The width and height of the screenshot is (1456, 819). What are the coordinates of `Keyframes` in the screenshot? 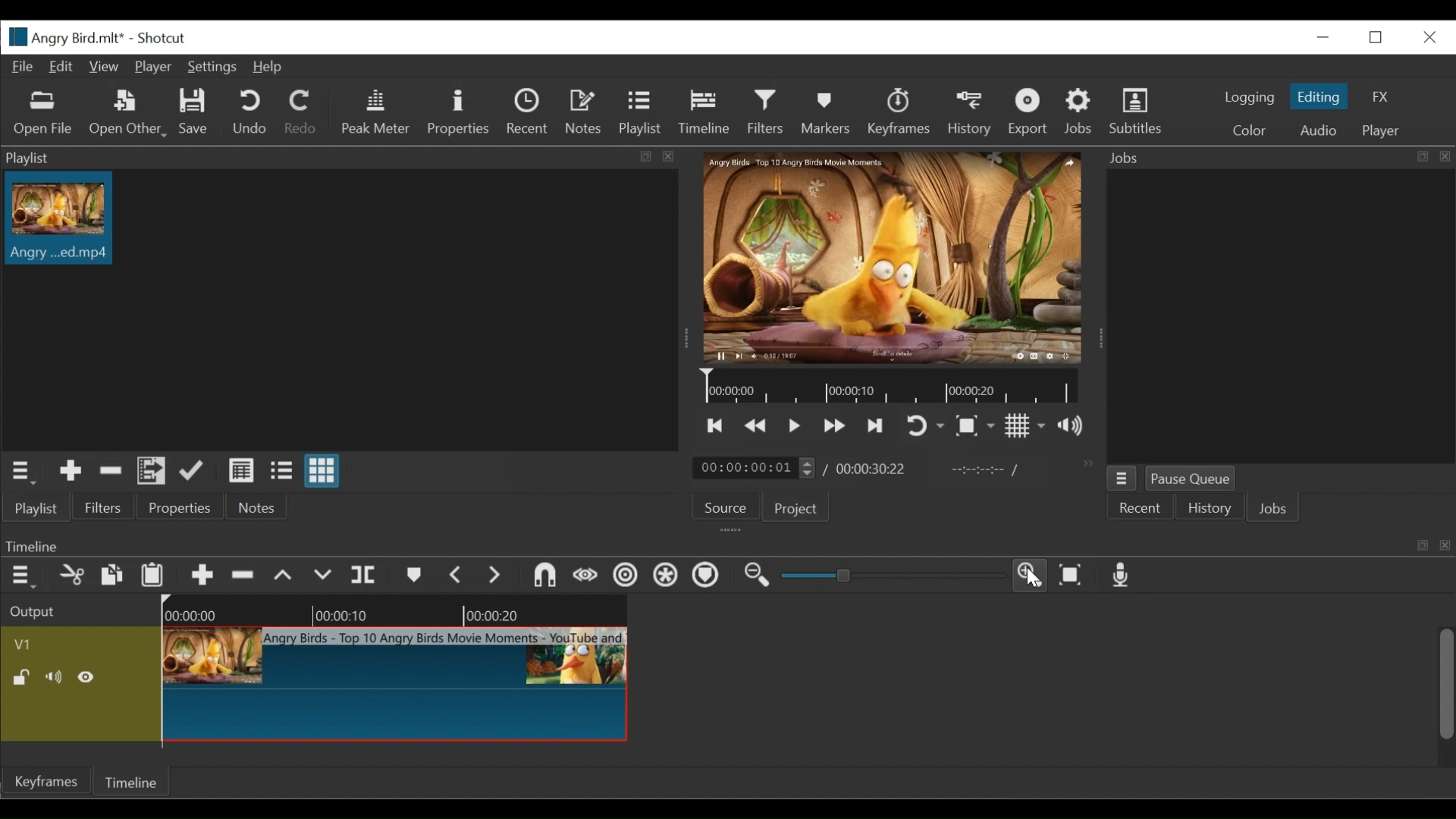 It's located at (899, 113).